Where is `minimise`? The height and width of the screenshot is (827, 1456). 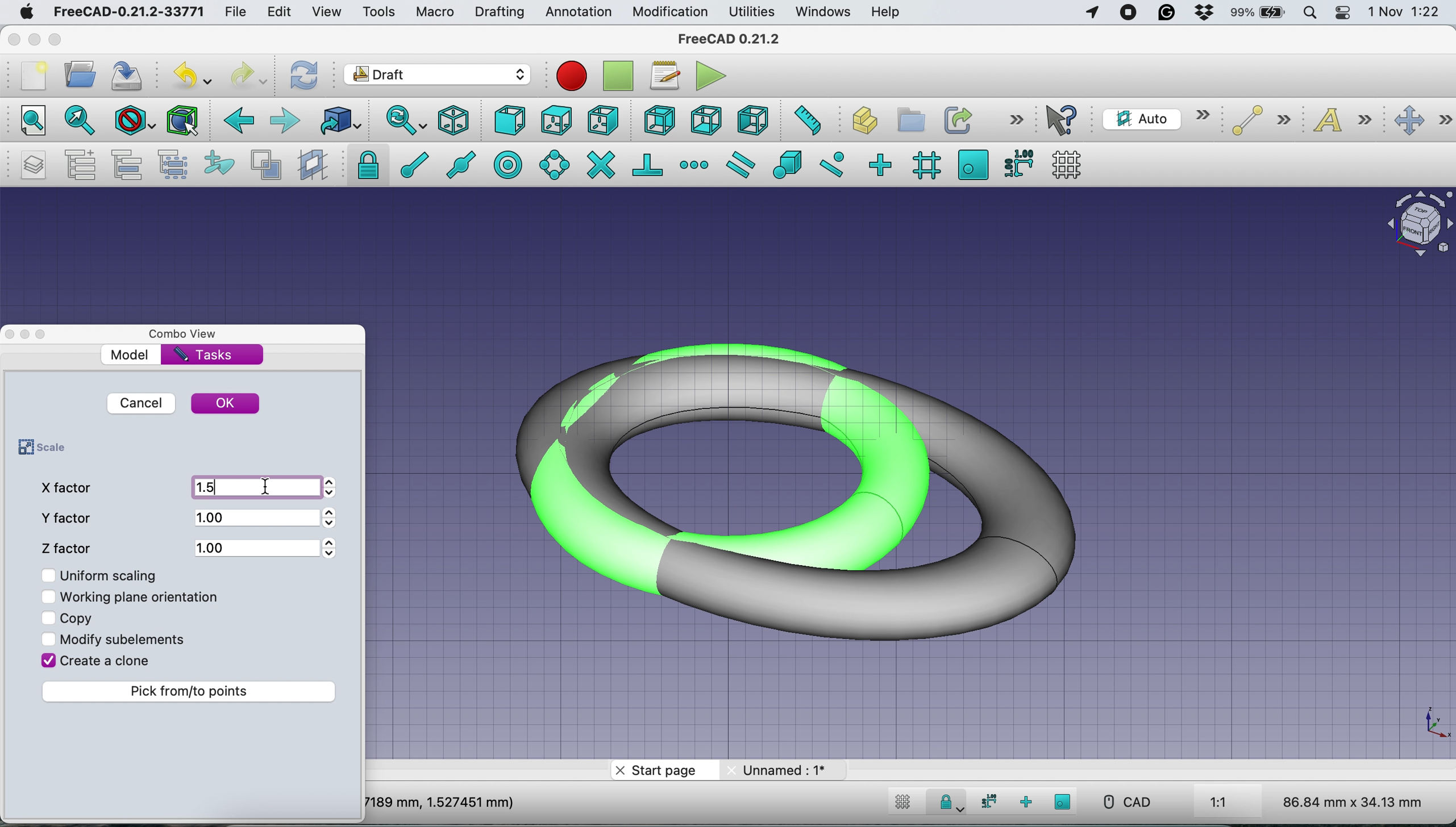 minimise is located at coordinates (34, 36).